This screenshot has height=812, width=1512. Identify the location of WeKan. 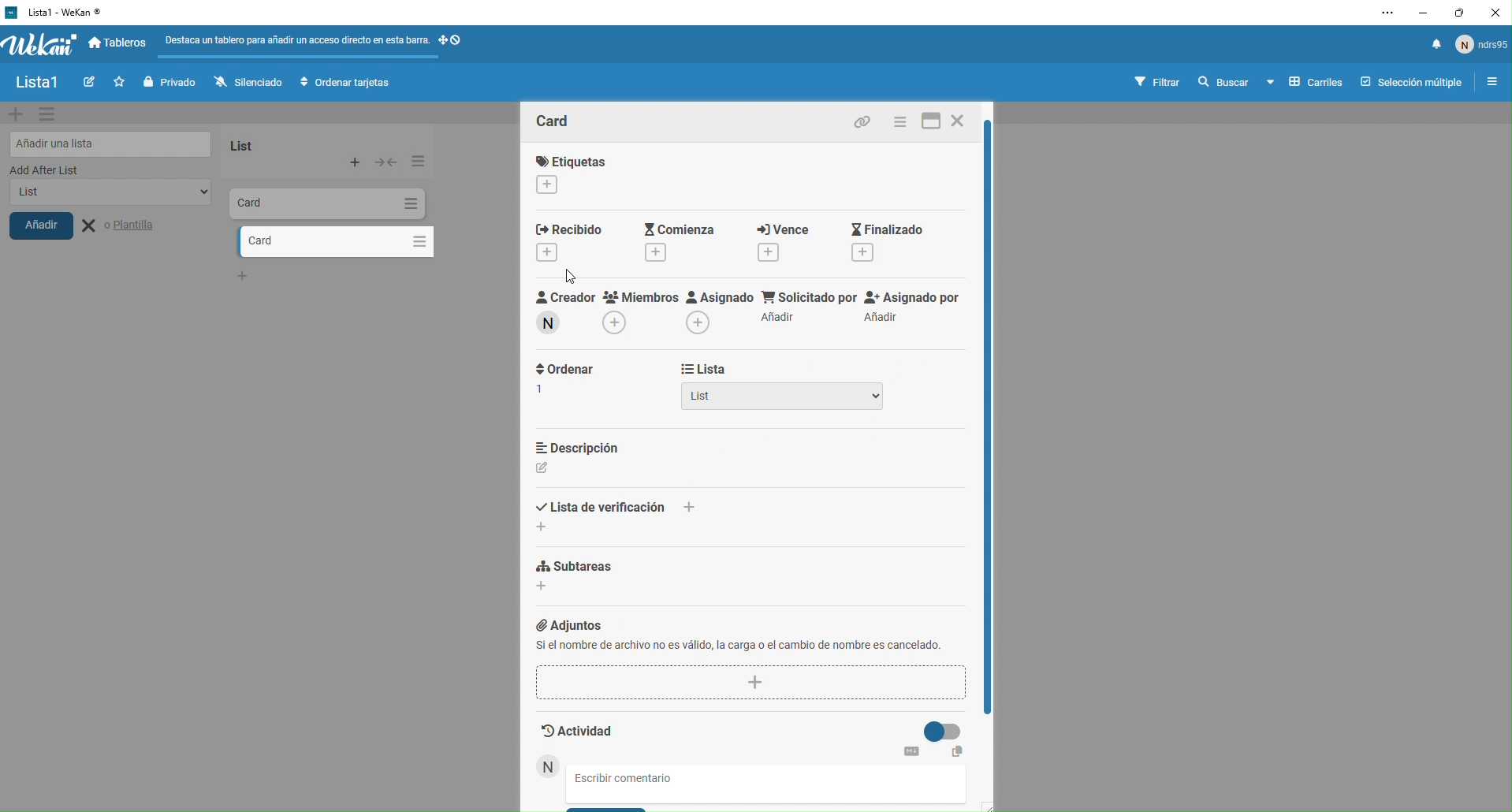
(55, 12).